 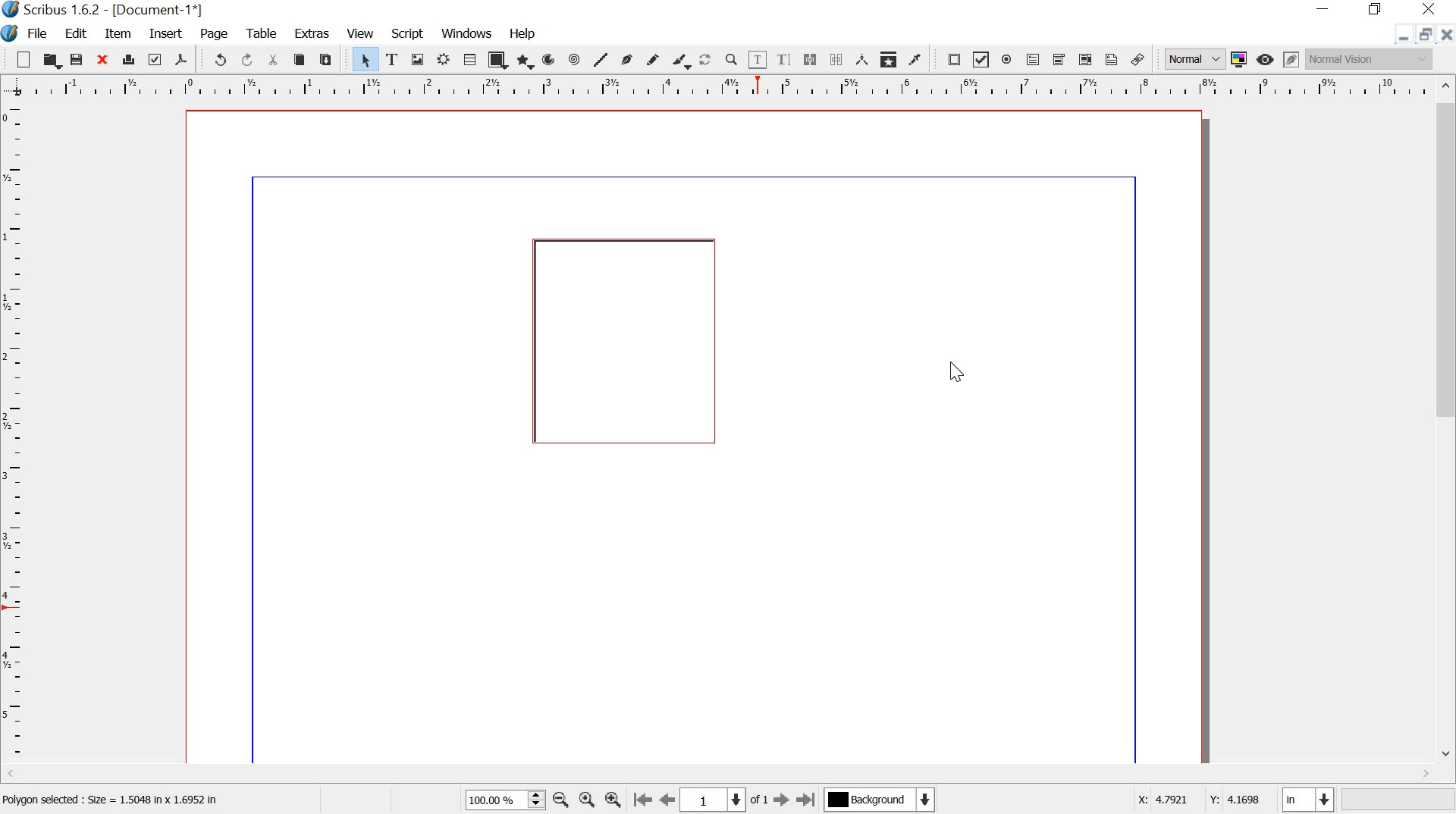 I want to click on paste, so click(x=329, y=61).